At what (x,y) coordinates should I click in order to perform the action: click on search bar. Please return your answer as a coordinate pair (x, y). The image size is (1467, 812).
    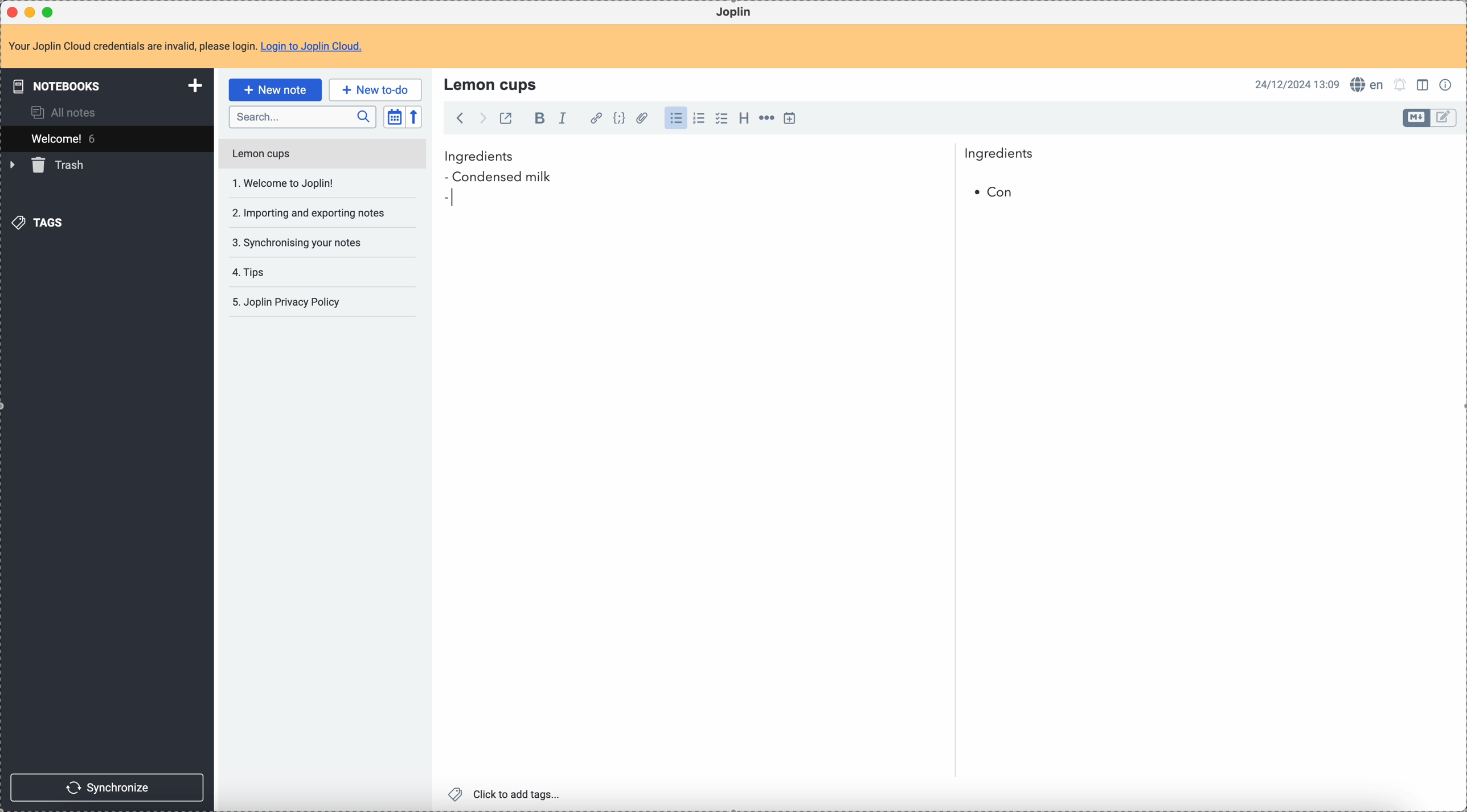
    Looking at the image, I should click on (302, 117).